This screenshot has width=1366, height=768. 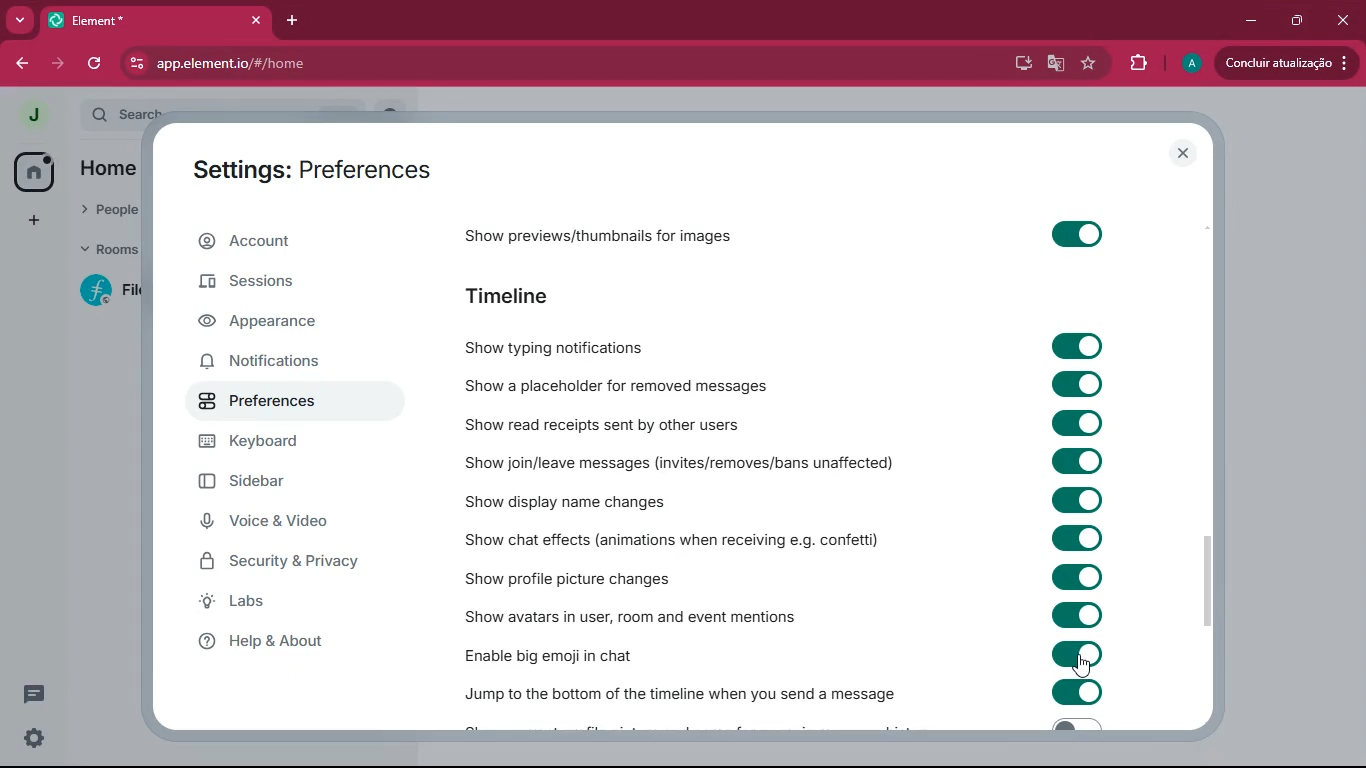 I want to click on toggle on , so click(x=1073, y=461).